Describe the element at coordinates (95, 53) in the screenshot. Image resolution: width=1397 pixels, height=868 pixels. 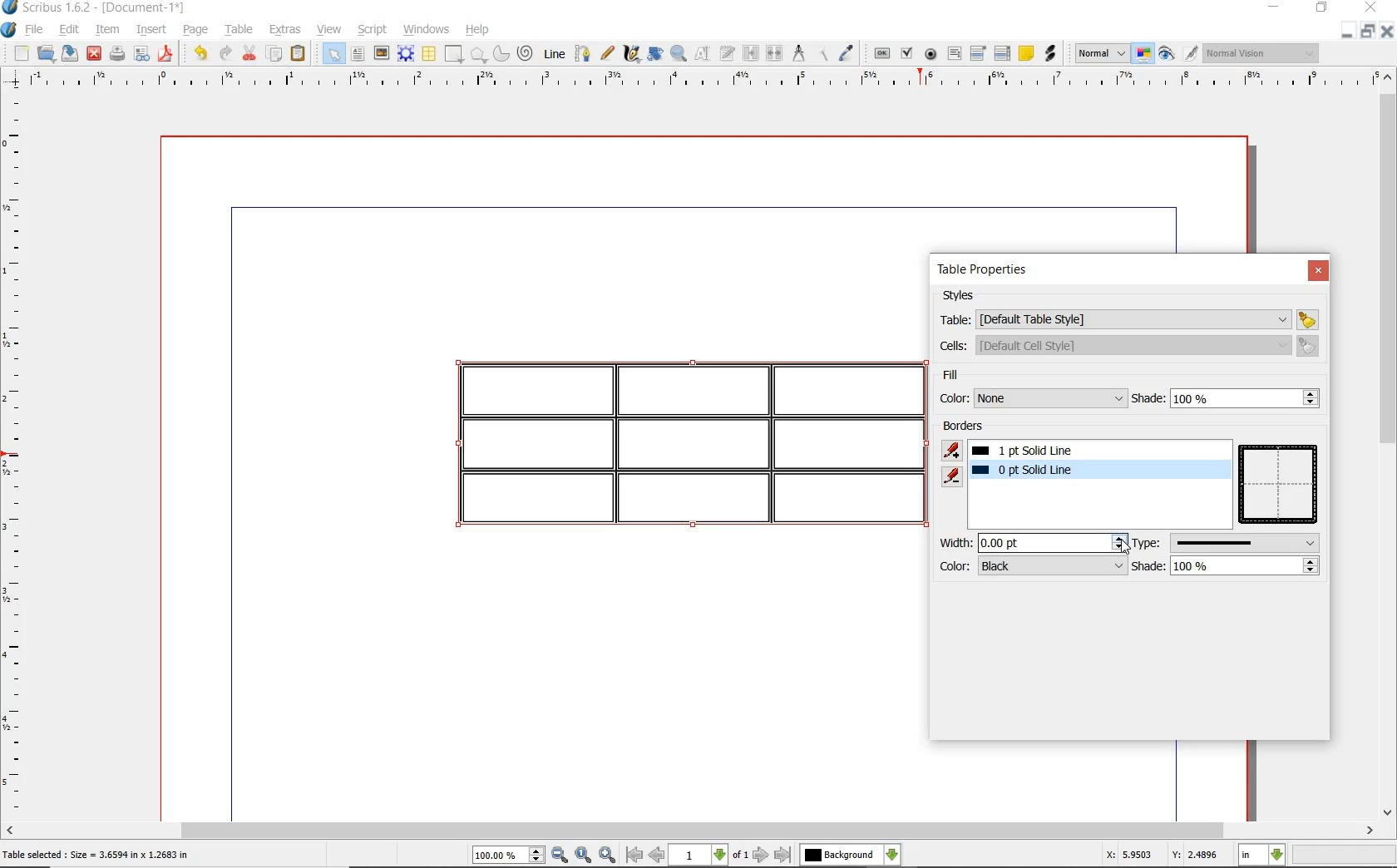
I see `close` at that location.